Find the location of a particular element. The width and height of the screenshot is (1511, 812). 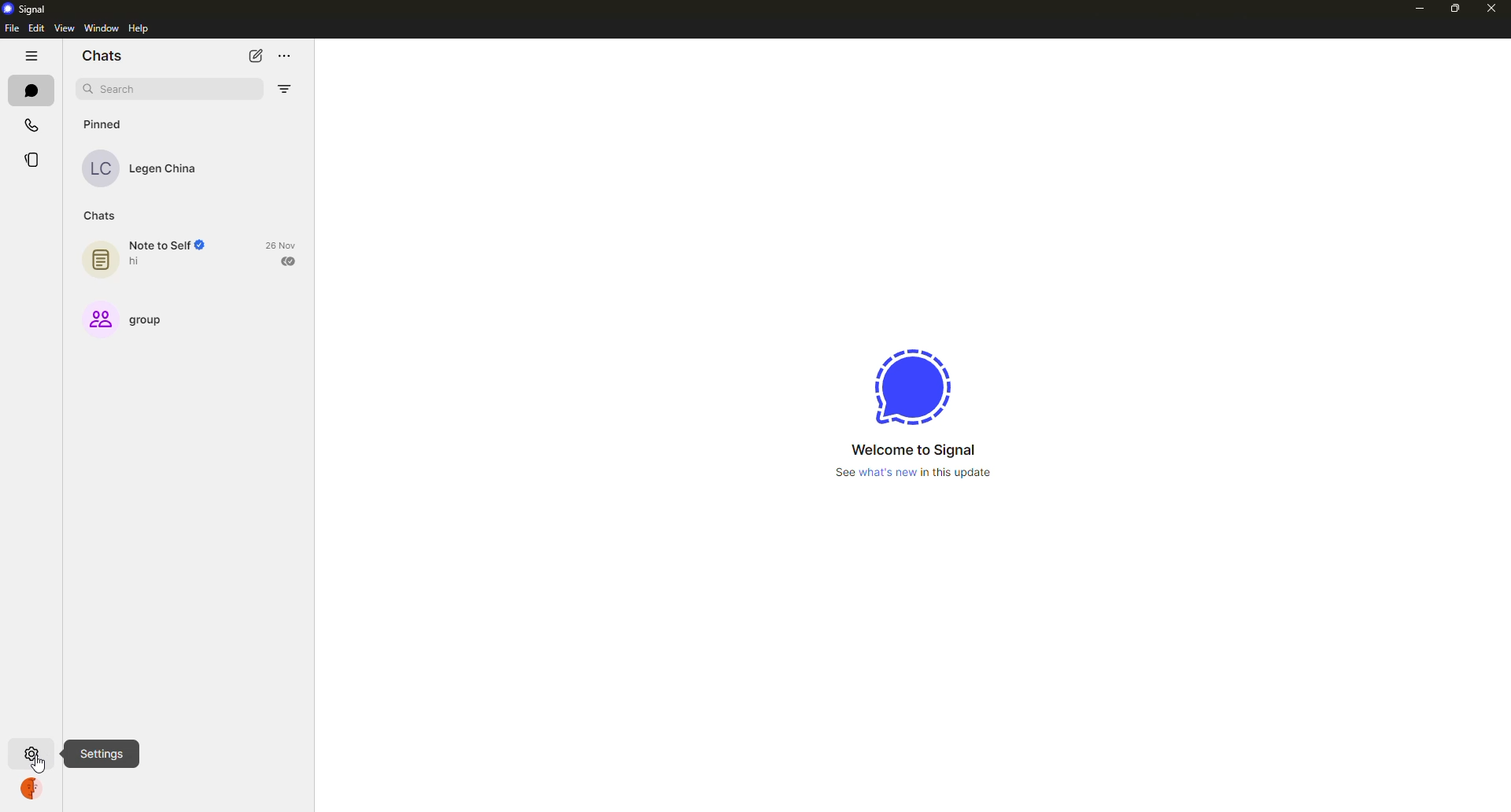

minimize is located at coordinates (1417, 9).